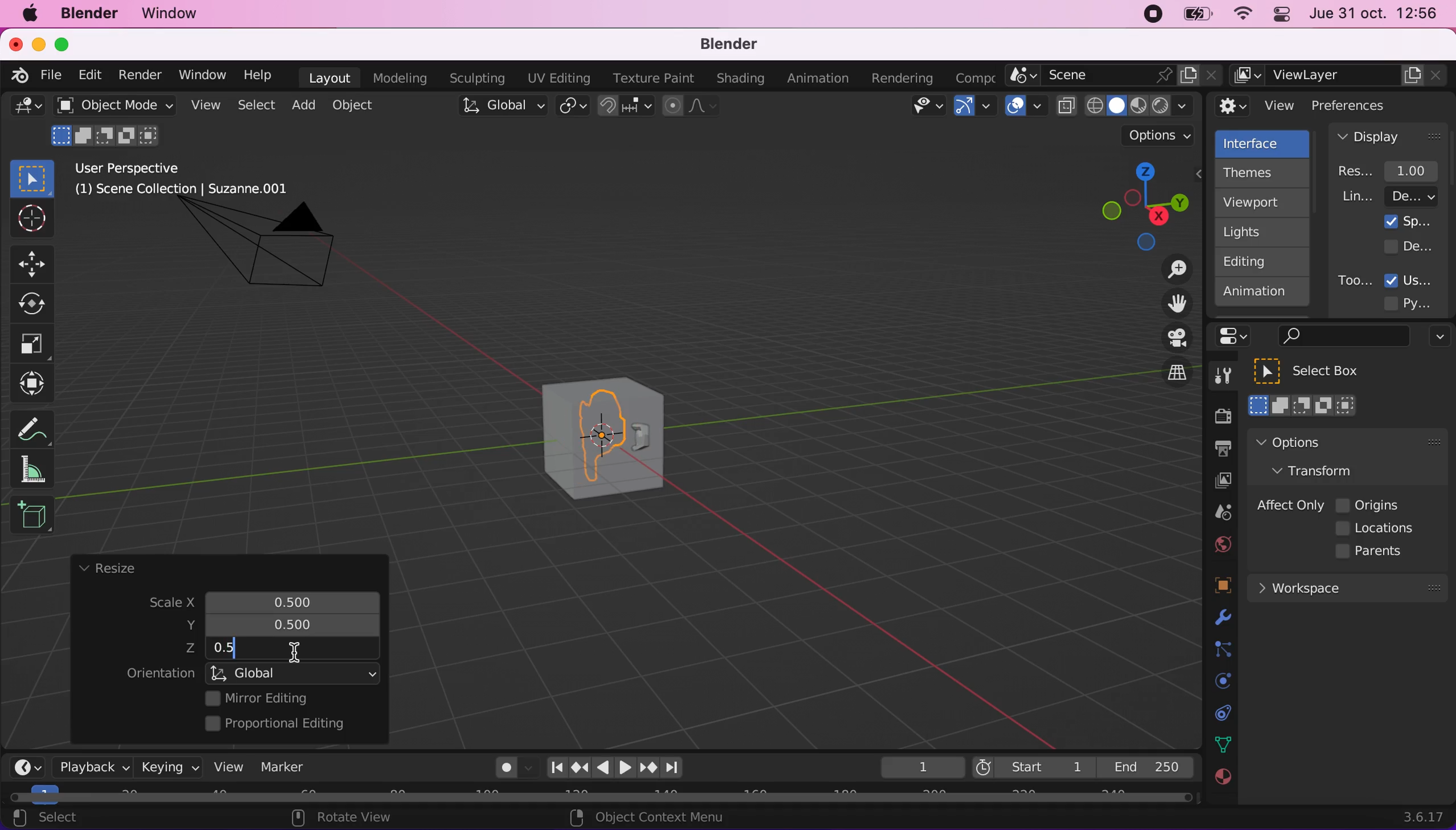 The image size is (1456, 830). What do you see at coordinates (353, 819) in the screenshot?
I see `rotate view` at bounding box center [353, 819].